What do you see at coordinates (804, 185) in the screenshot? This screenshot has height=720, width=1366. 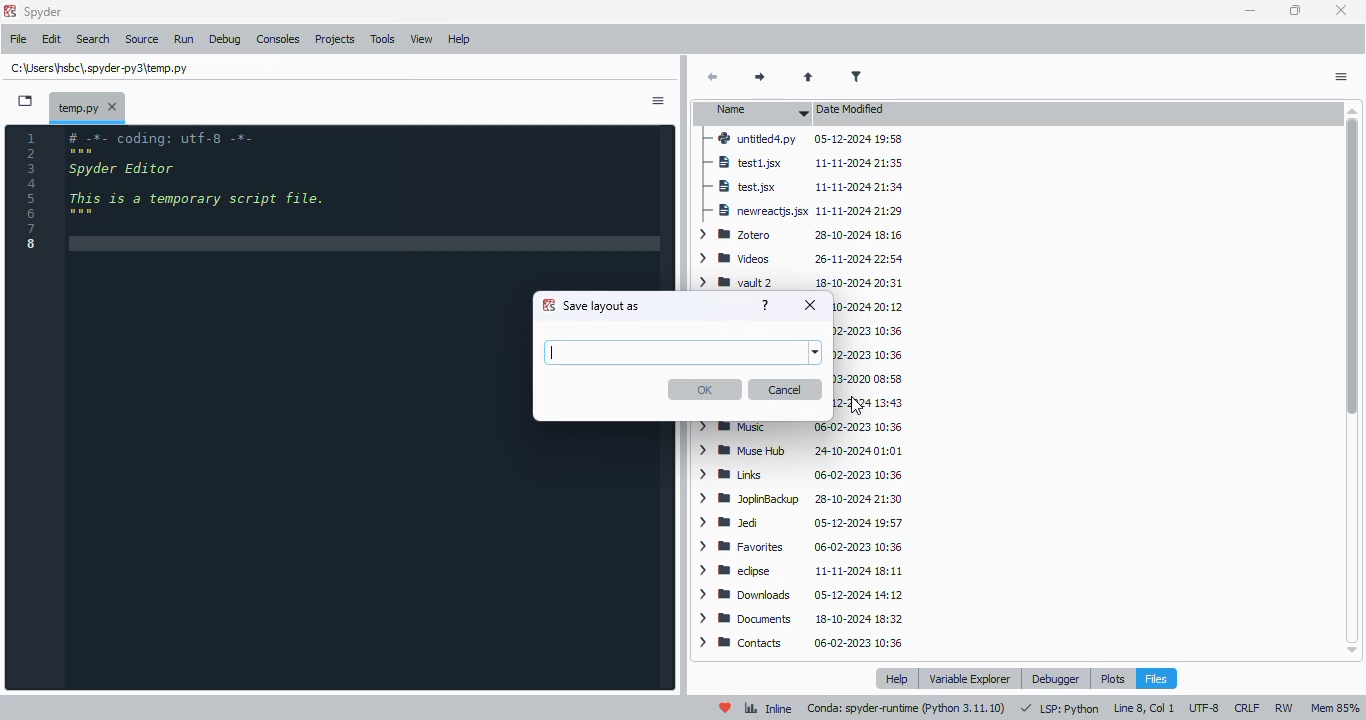 I see `test.jsx` at bounding box center [804, 185].